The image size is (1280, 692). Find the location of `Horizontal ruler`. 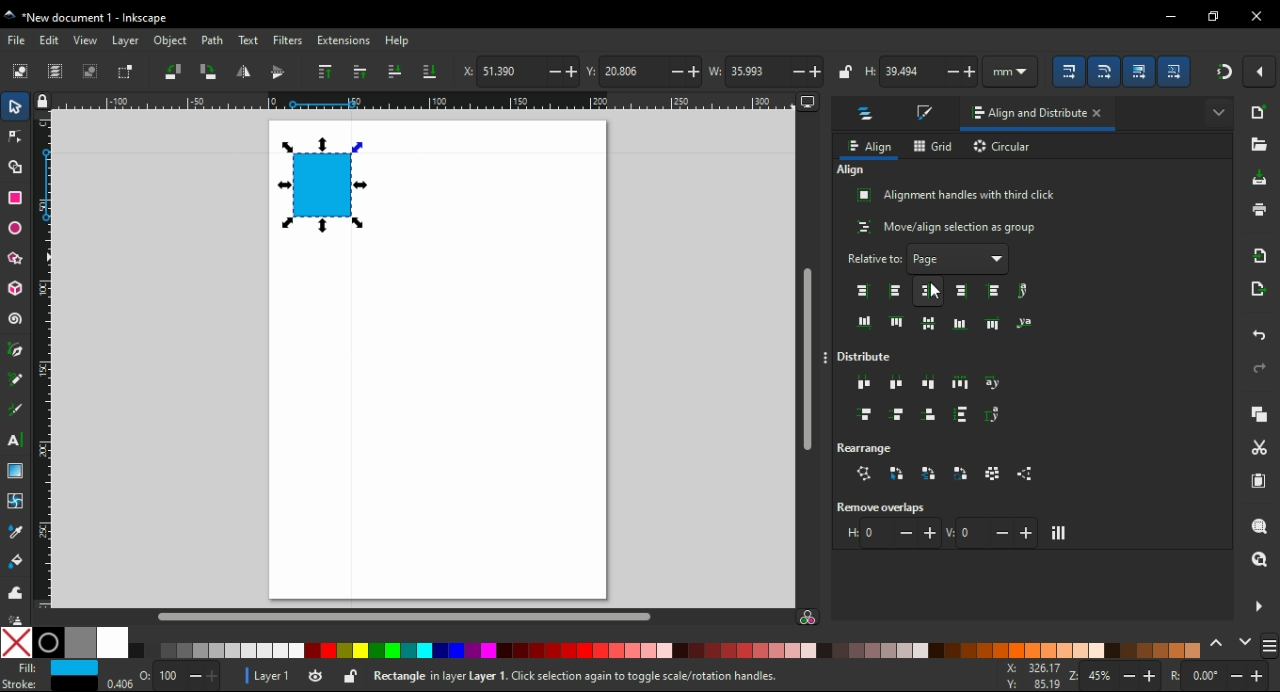

Horizontal ruler is located at coordinates (415, 101).